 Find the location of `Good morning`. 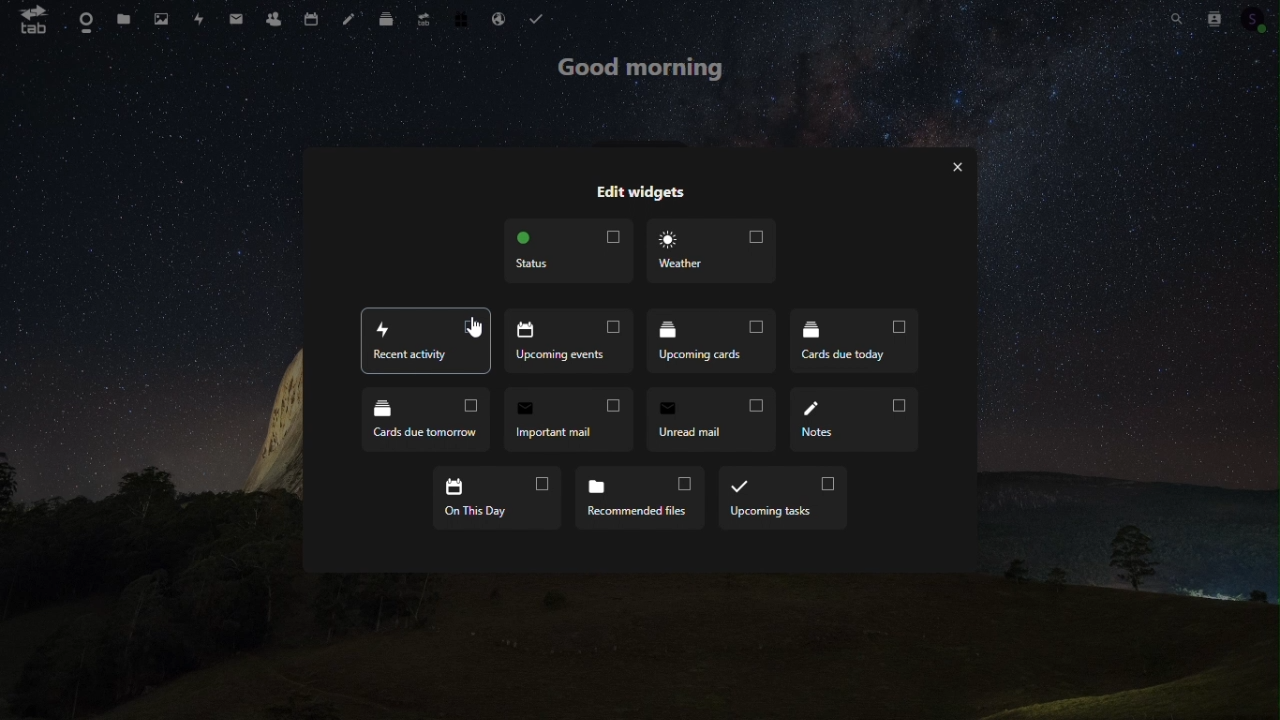

Good morning is located at coordinates (639, 68).